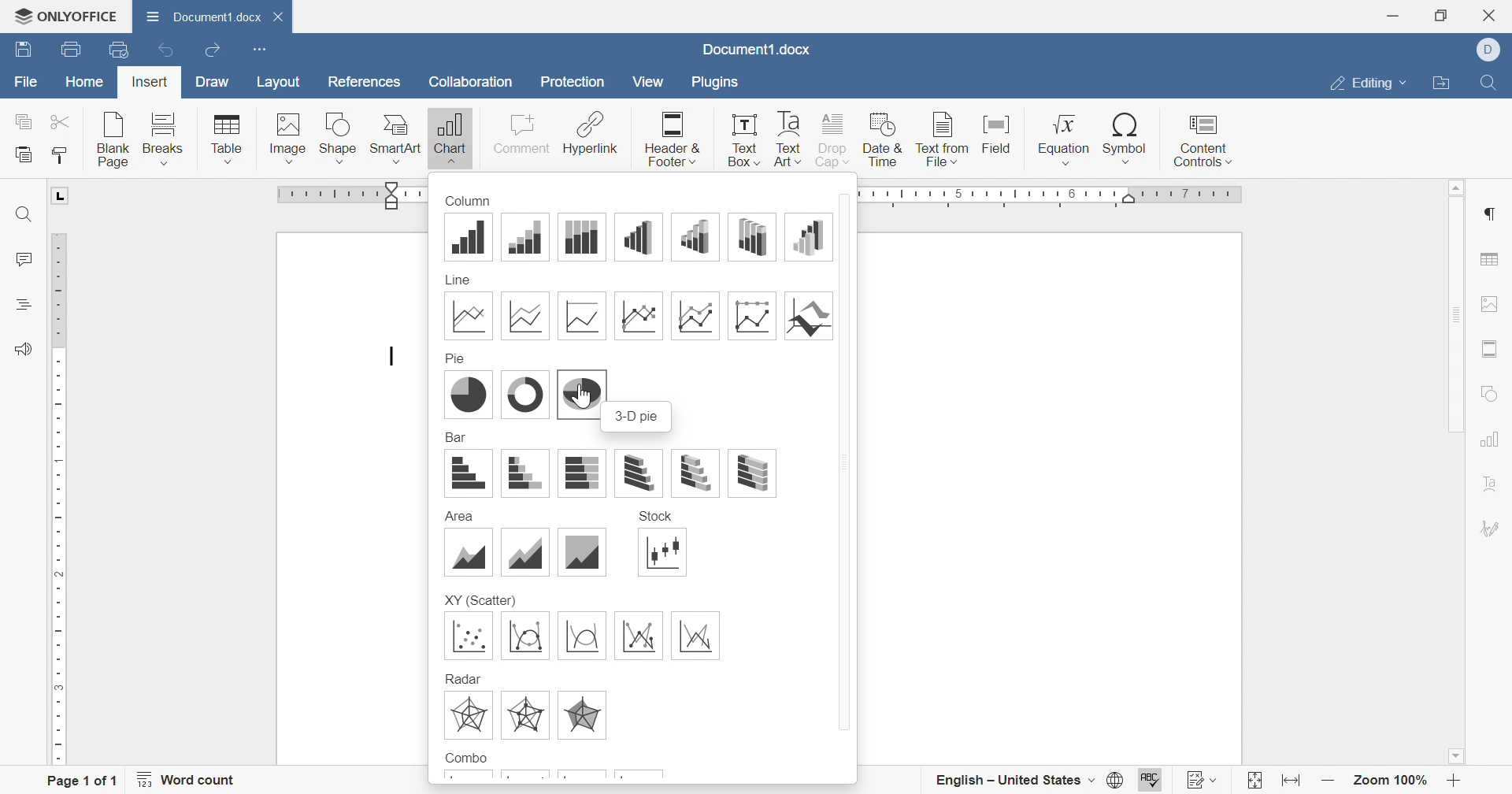 The width and height of the screenshot is (1512, 794). Describe the element at coordinates (809, 314) in the screenshot. I see `3 D lines` at that location.